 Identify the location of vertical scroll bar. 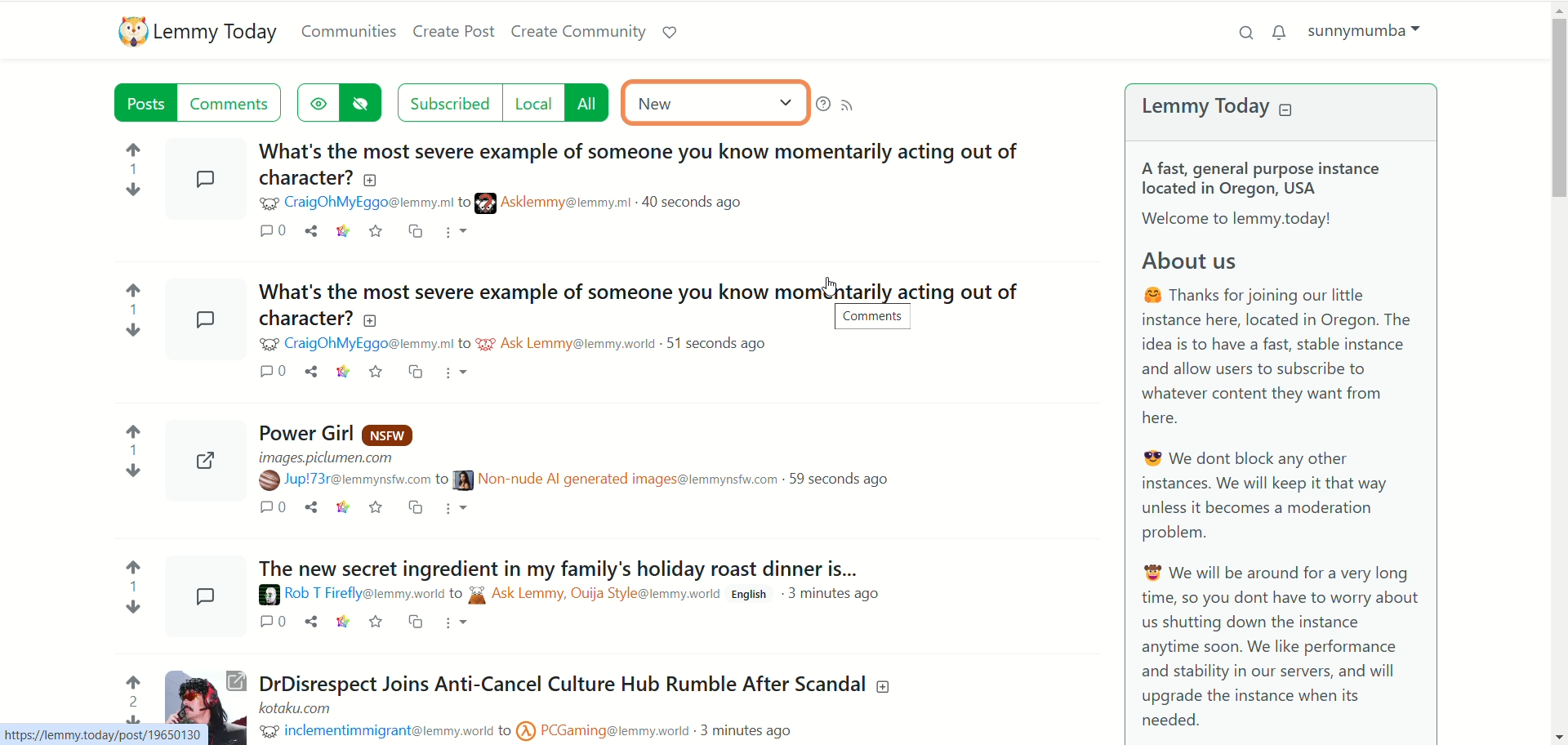
(1558, 371).